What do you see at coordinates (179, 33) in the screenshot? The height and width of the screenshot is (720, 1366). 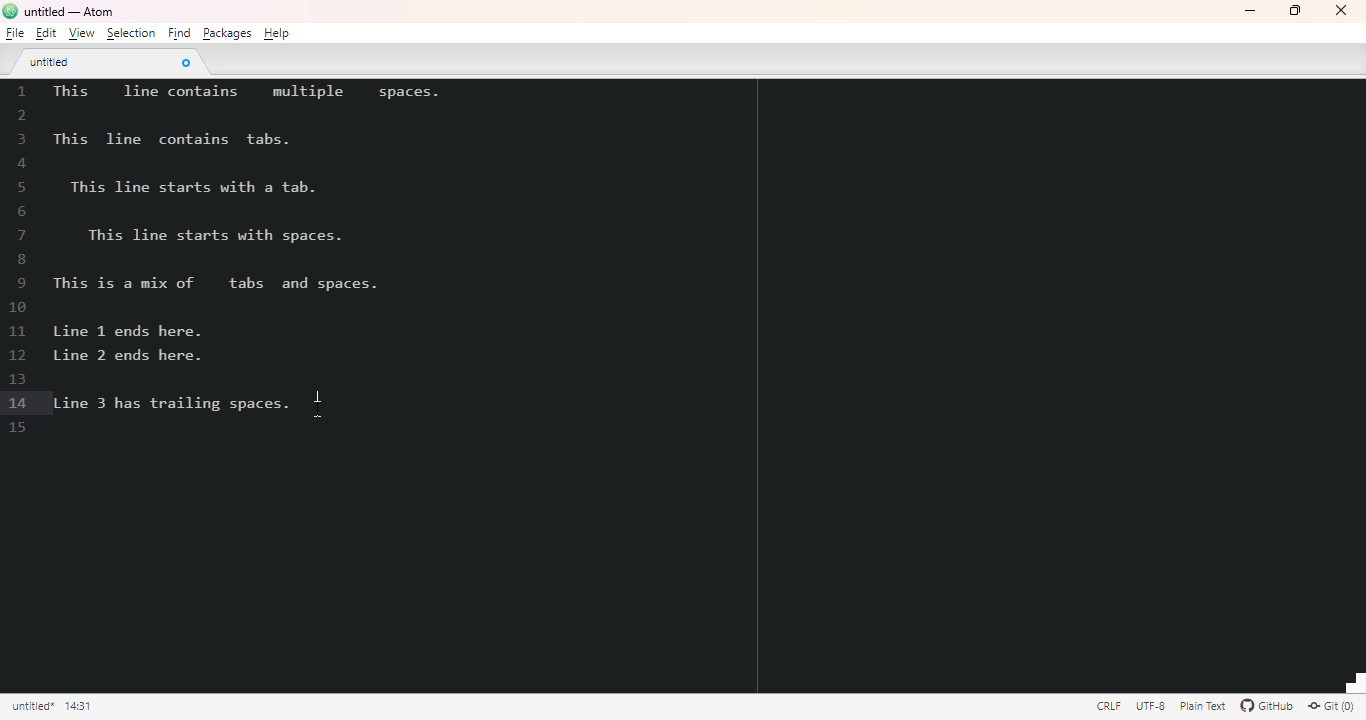 I see `find` at bounding box center [179, 33].